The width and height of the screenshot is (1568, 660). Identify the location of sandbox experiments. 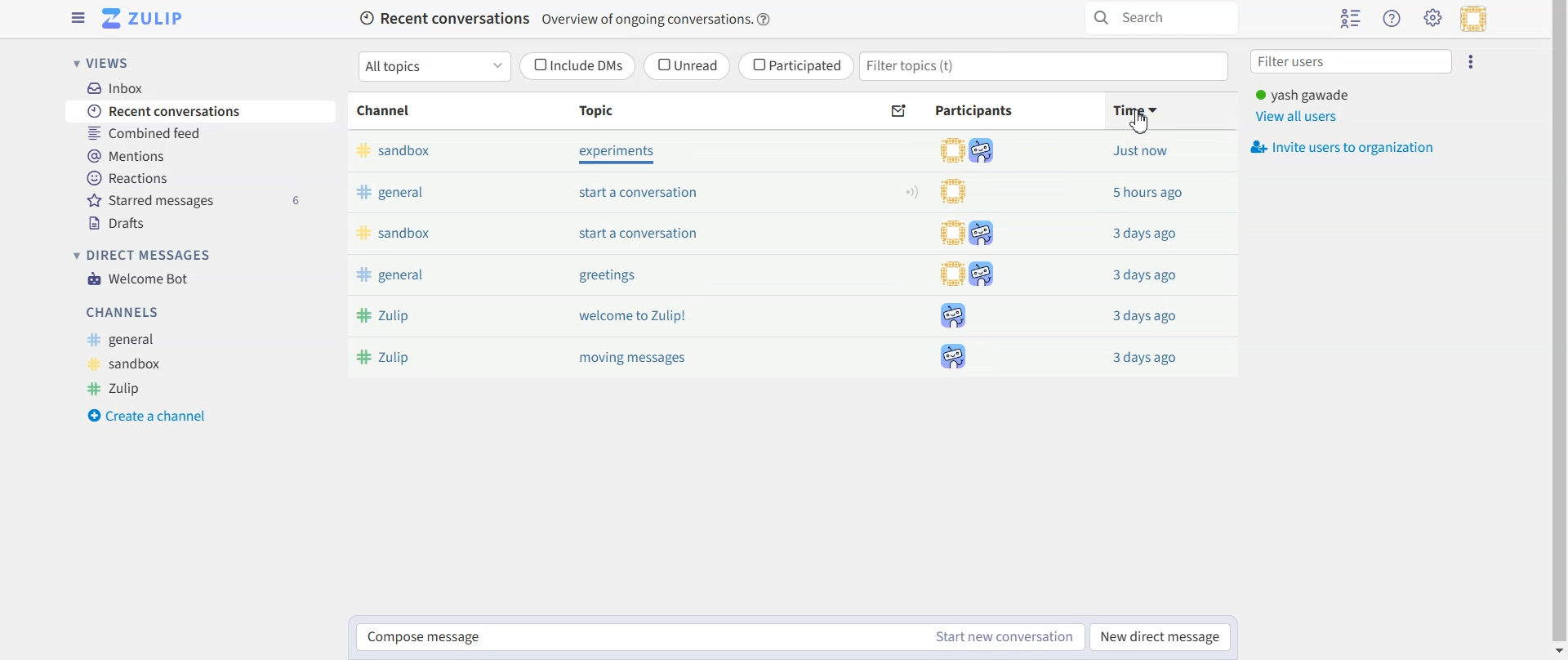
(588, 152).